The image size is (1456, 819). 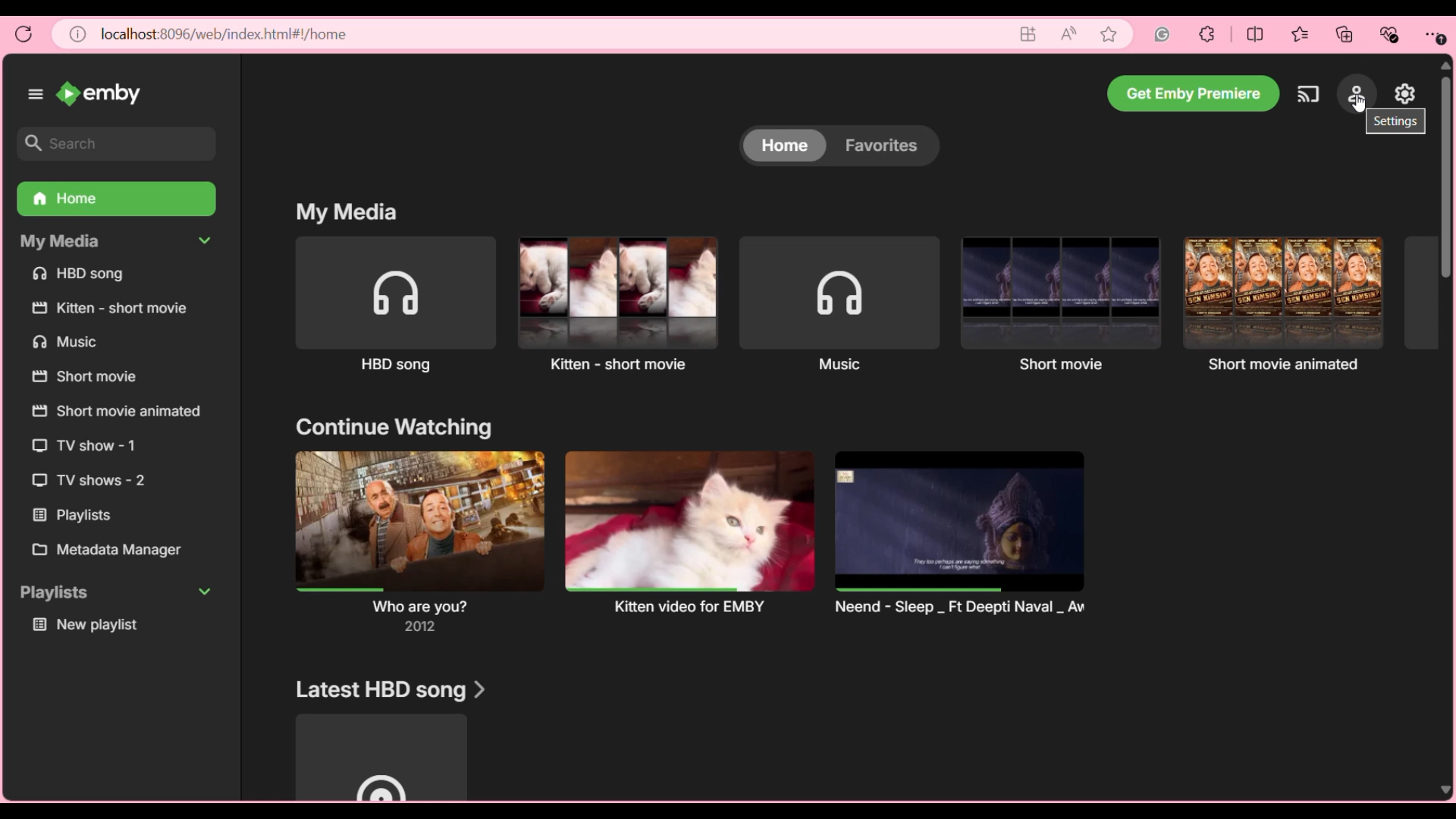 I want to click on metabase manager, so click(x=111, y=551).